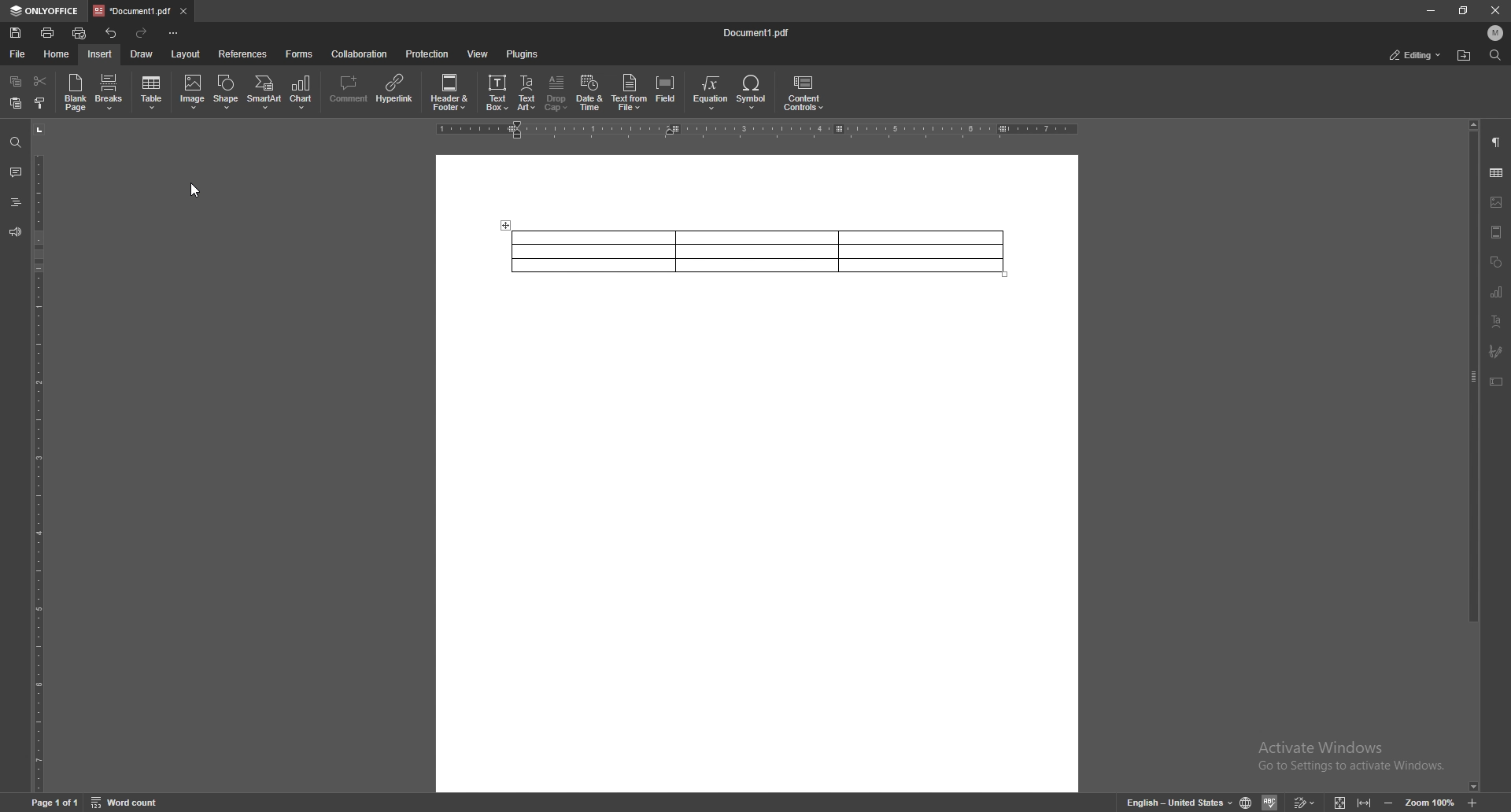  Describe the element at coordinates (57, 54) in the screenshot. I see `home` at that location.